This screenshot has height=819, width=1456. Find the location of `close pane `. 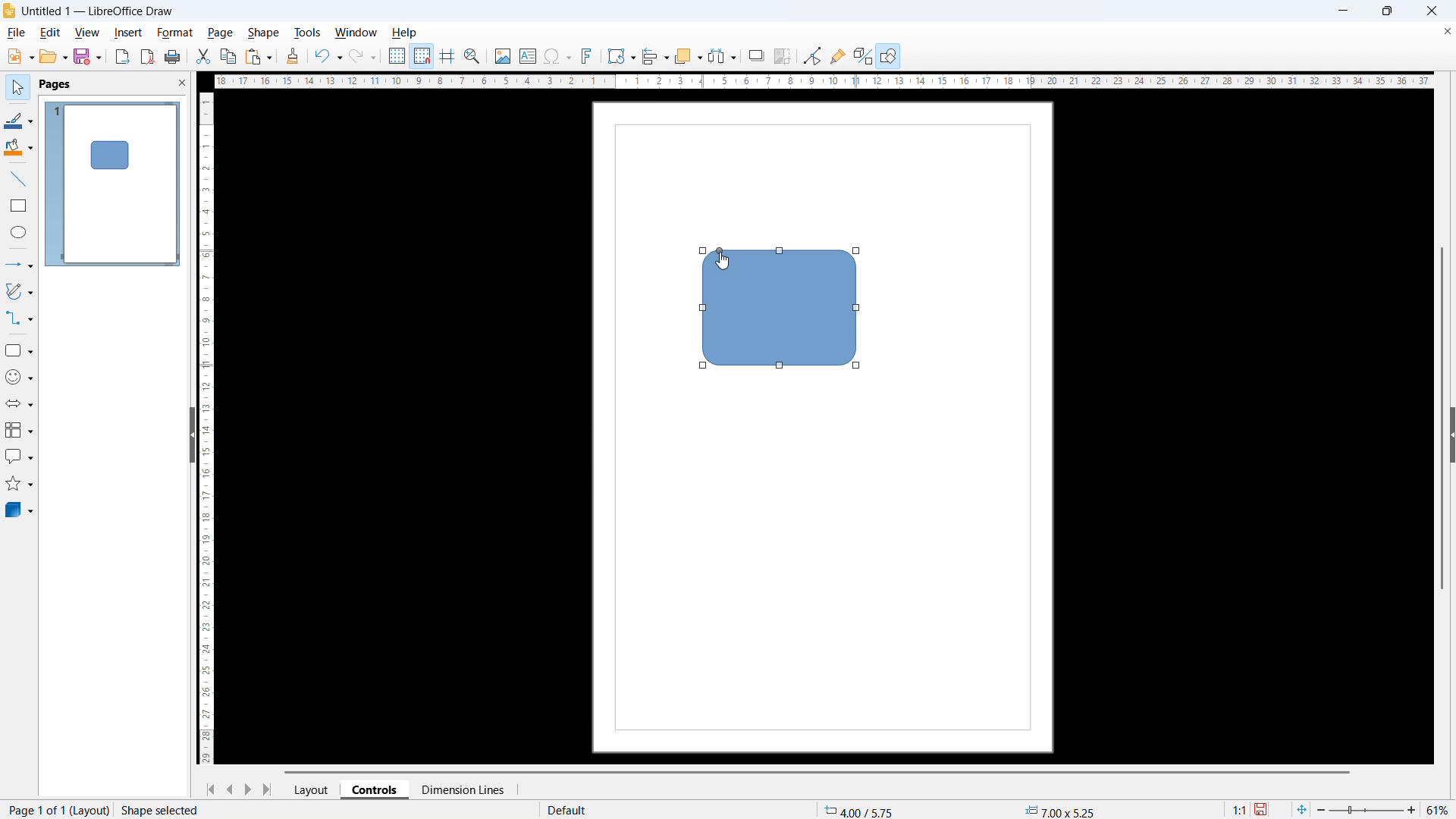

close pane  is located at coordinates (182, 83).